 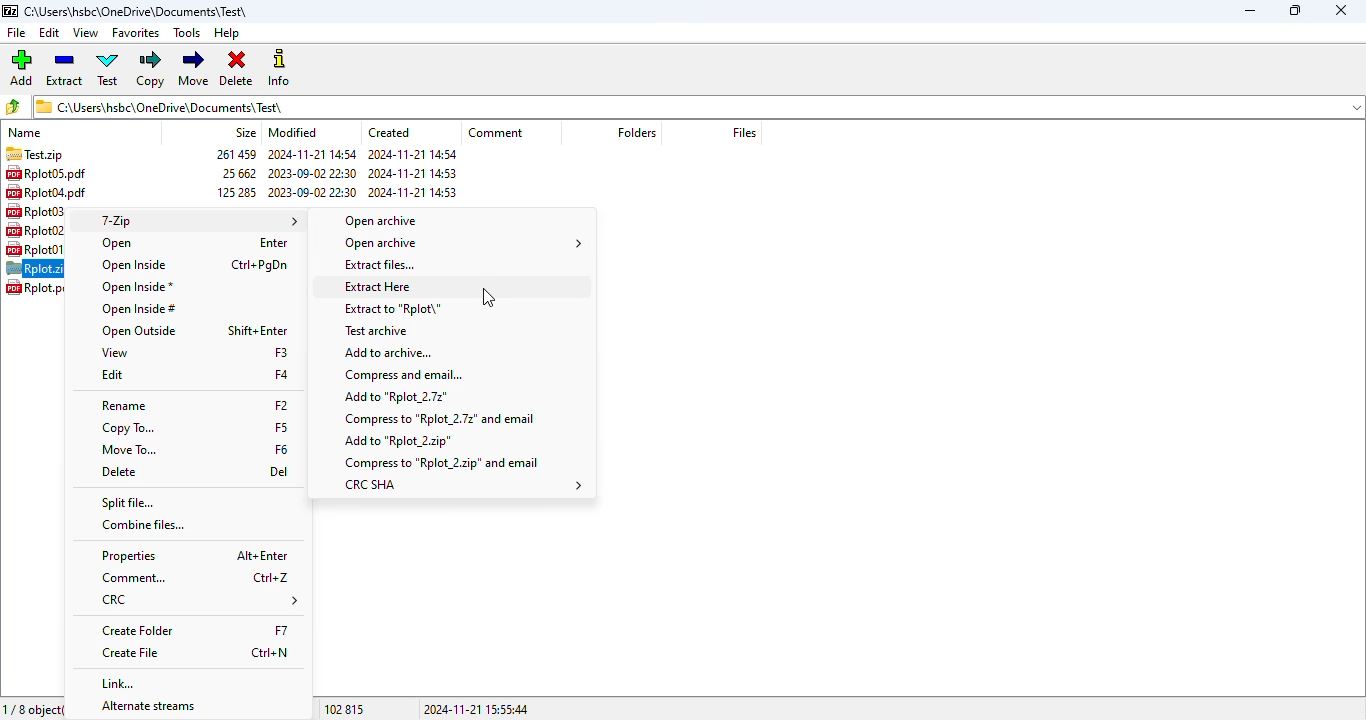 What do you see at coordinates (279, 473) in the screenshot?
I see `shortcut for delete` at bounding box center [279, 473].